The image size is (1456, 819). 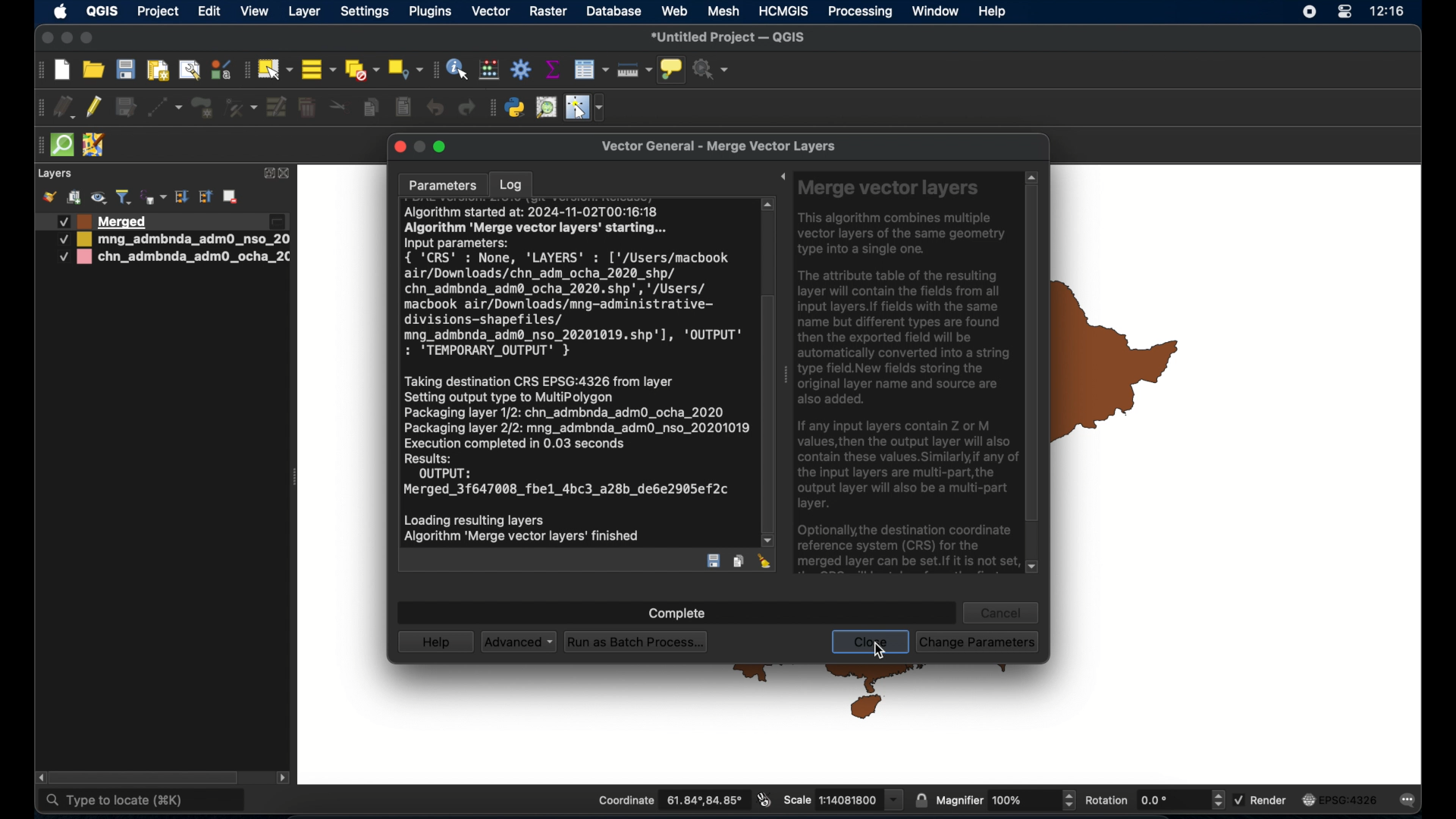 What do you see at coordinates (371, 109) in the screenshot?
I see `copy features` at bounding box center [371, 109].